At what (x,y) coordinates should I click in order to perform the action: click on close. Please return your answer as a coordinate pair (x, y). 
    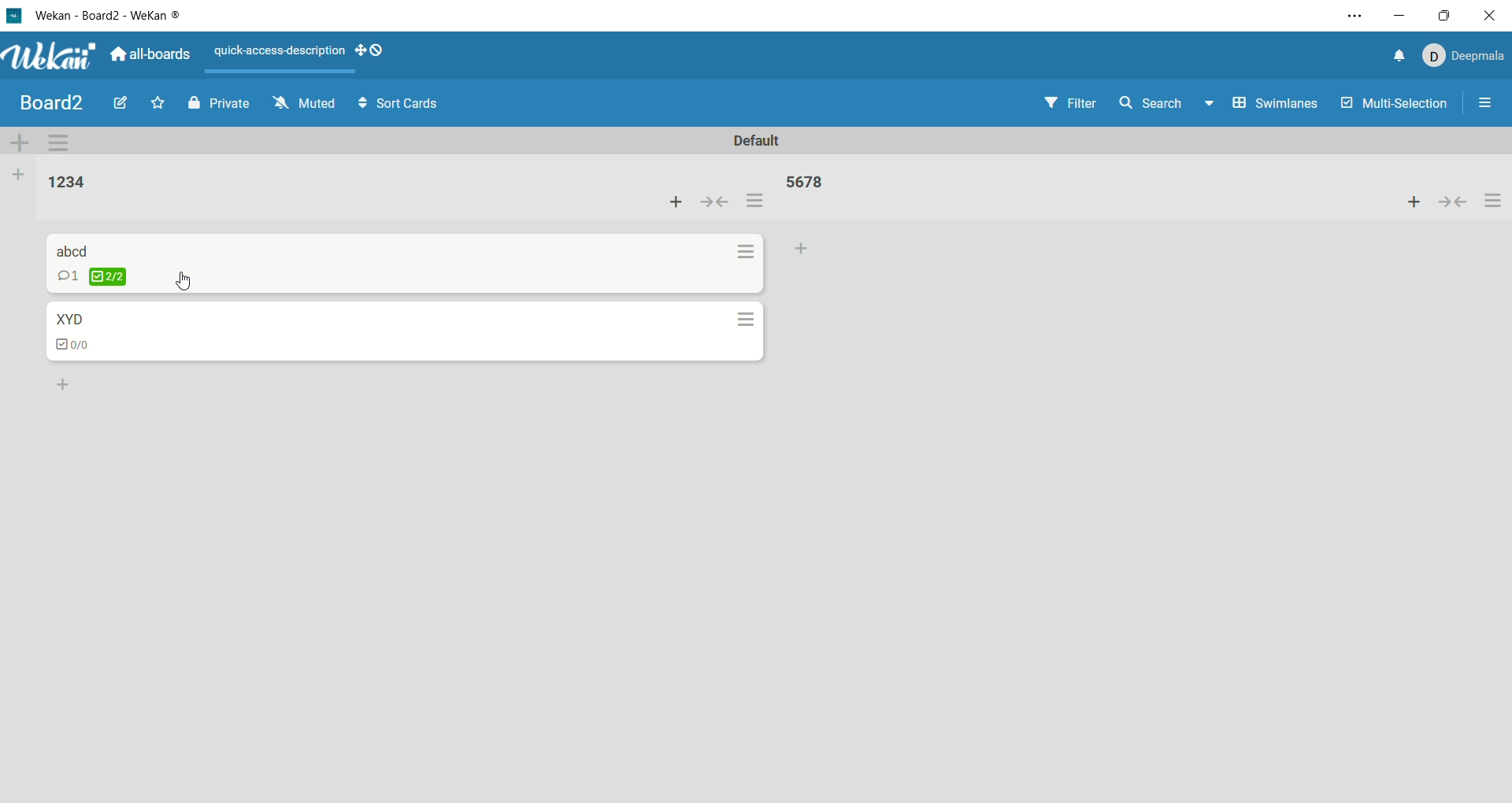
    Looking at the image, I should click on (1488, 18).